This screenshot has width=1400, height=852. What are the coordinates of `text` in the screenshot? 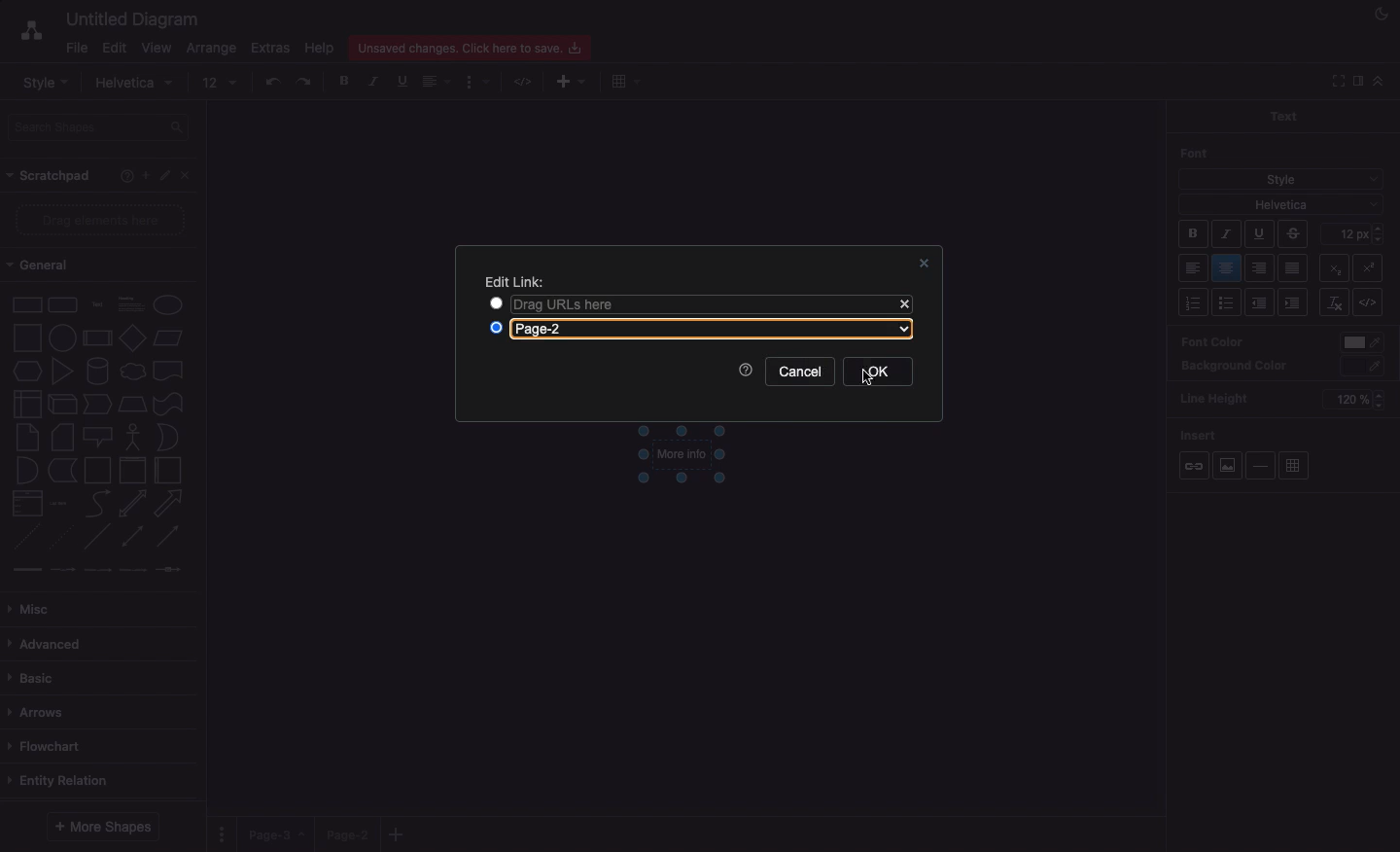 It's located at (98, 306).